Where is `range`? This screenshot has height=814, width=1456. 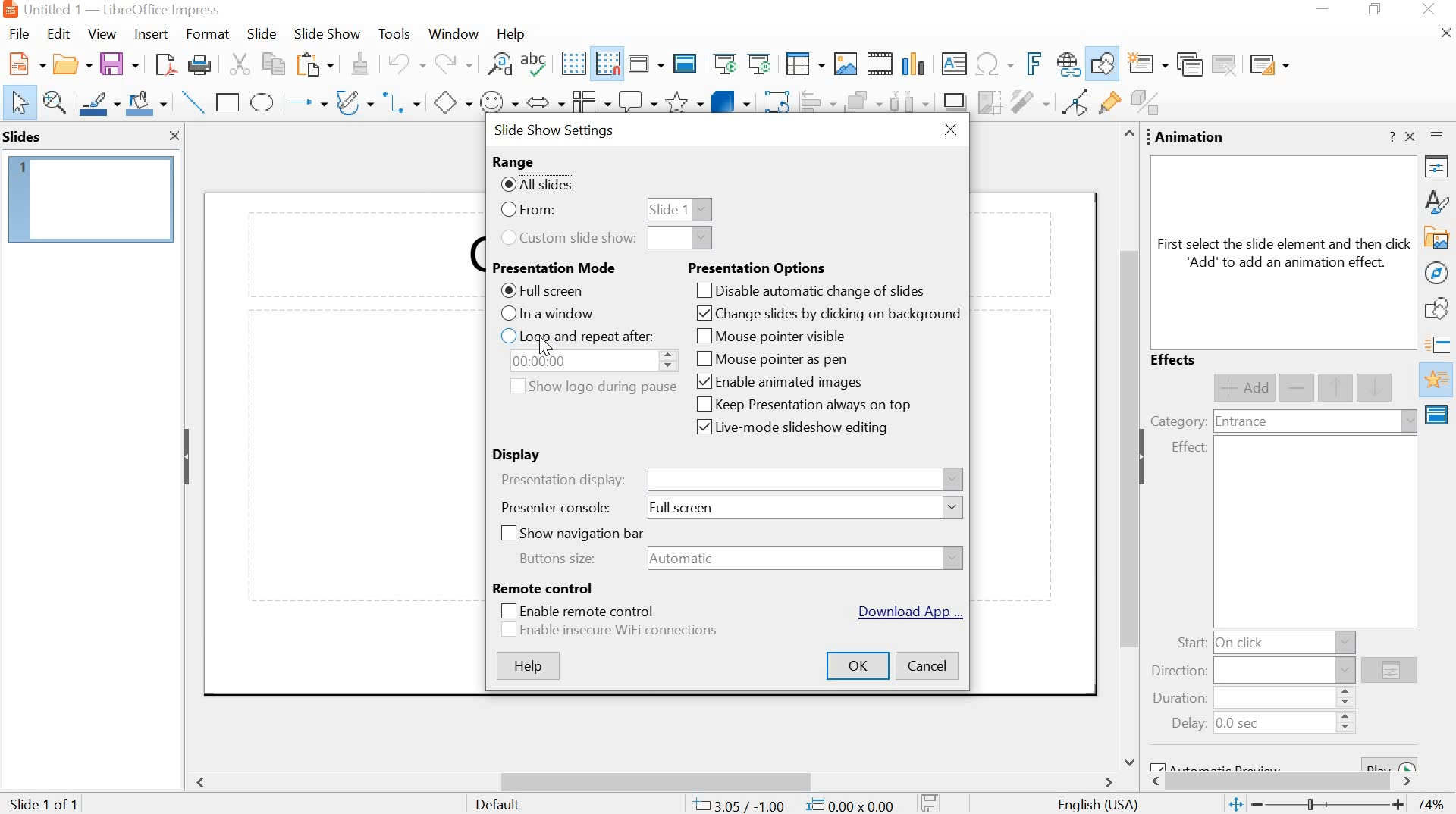 range is located at coordinates (513, 161).